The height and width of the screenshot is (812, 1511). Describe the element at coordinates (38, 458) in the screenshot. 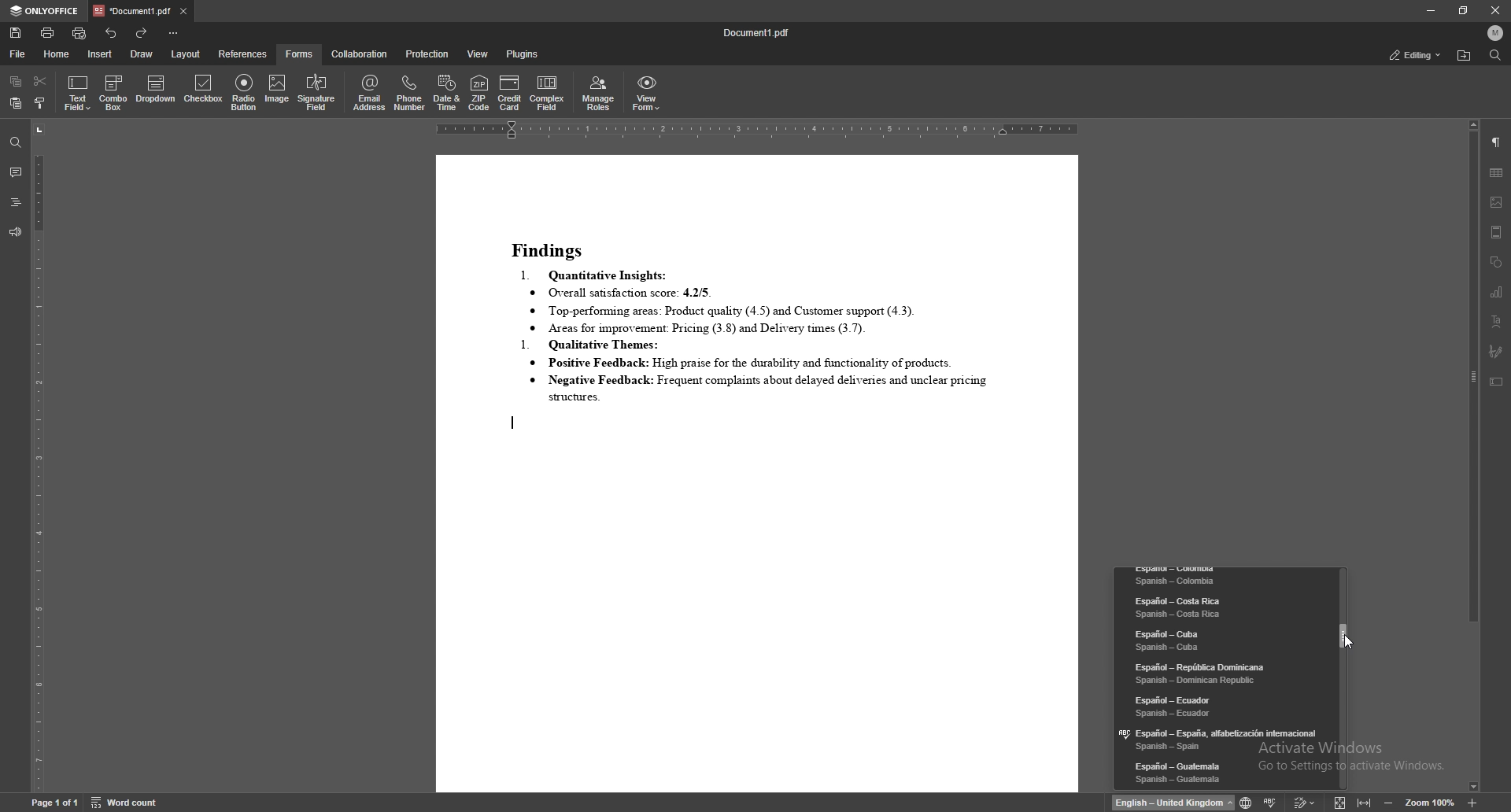

I see `vertical scale` at that location.